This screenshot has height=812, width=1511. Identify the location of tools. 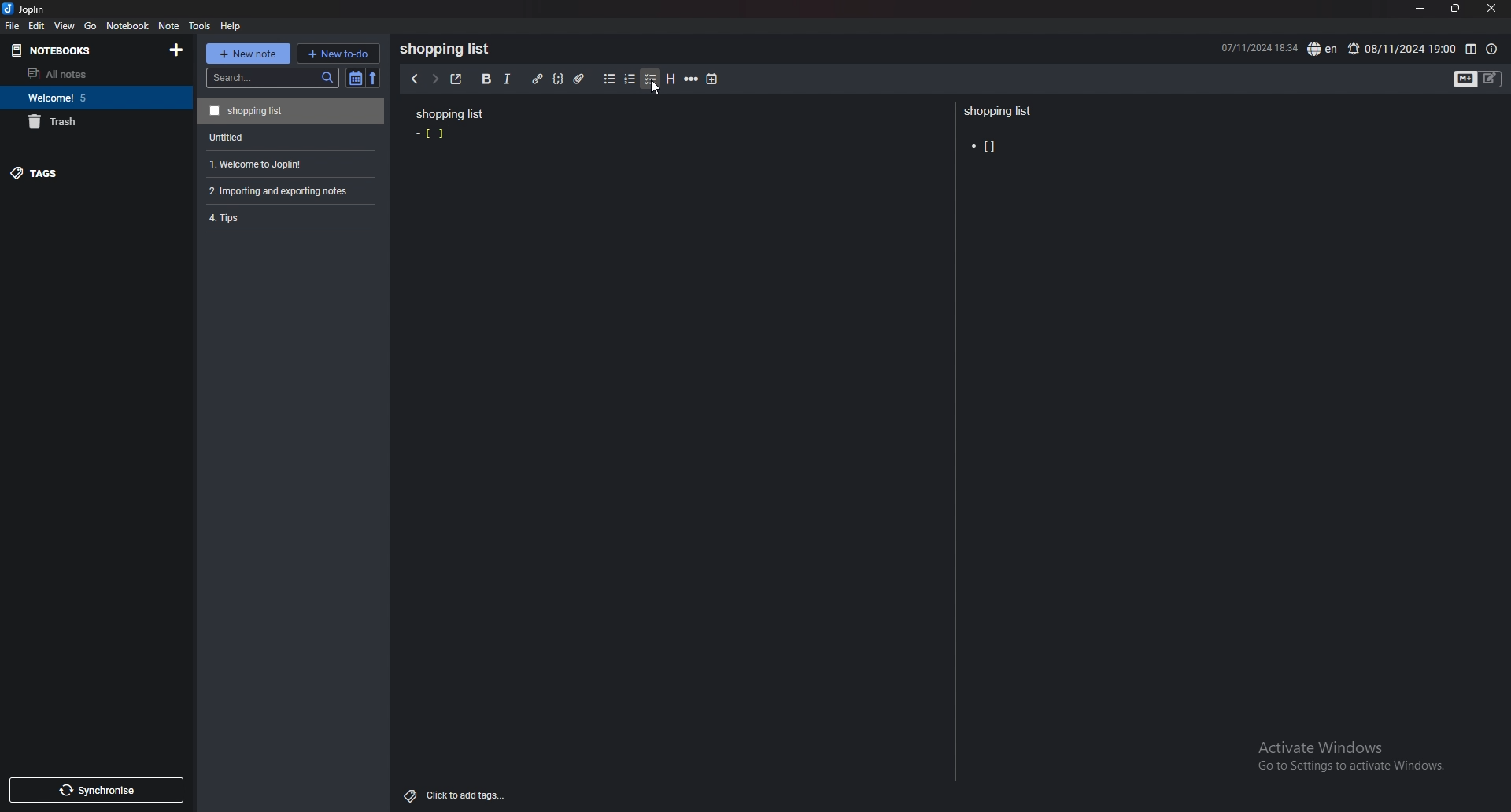
(199, 26).